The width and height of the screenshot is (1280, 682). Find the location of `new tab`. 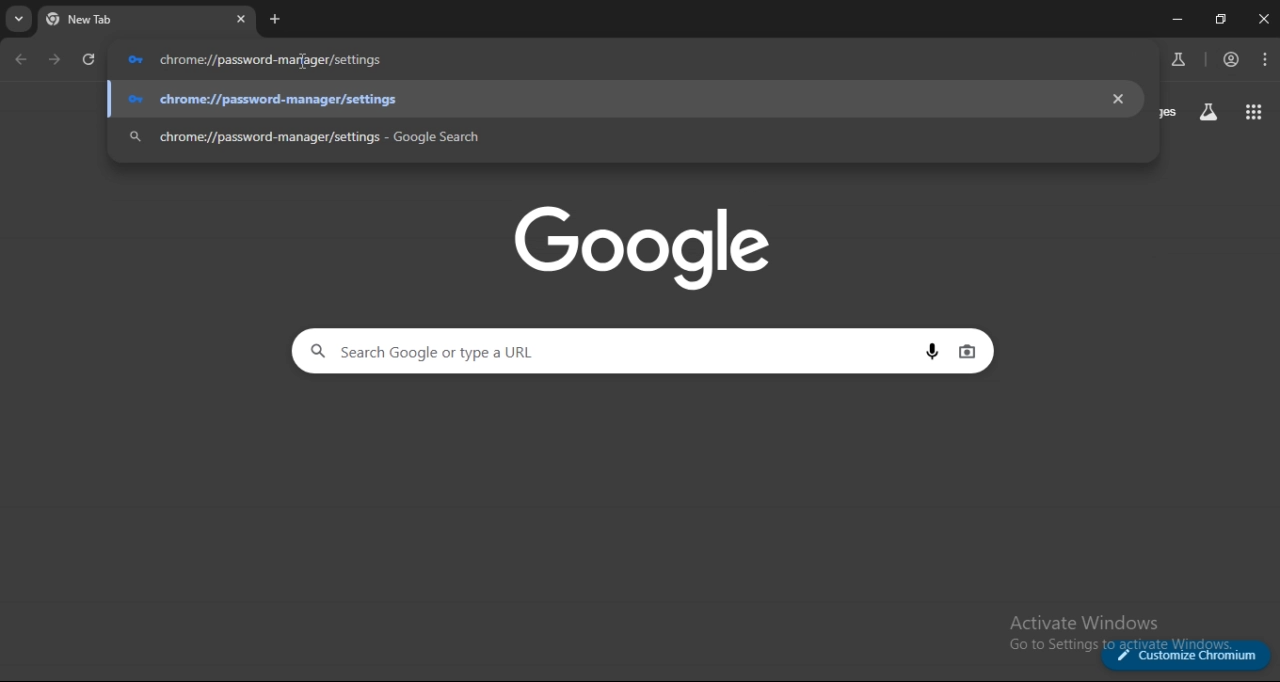

new tab is located at coordinates (275, 19).